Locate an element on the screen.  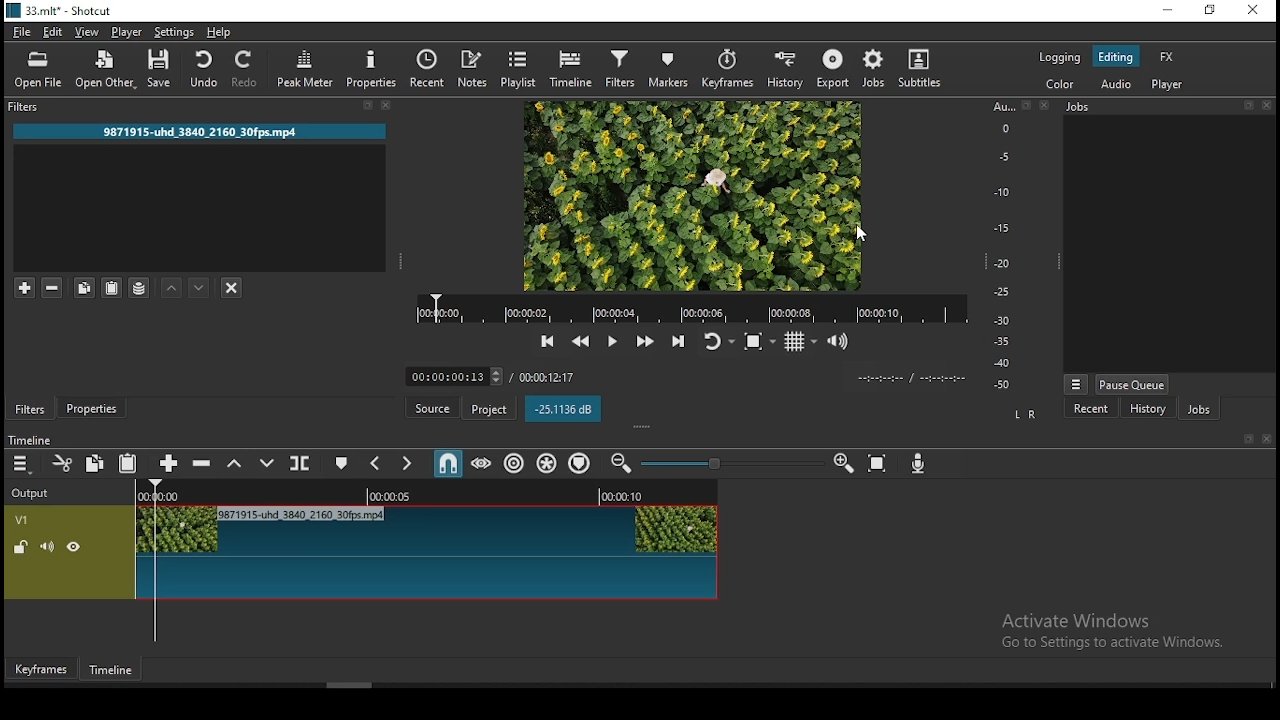
logging is located at coordinates (1063, 58).